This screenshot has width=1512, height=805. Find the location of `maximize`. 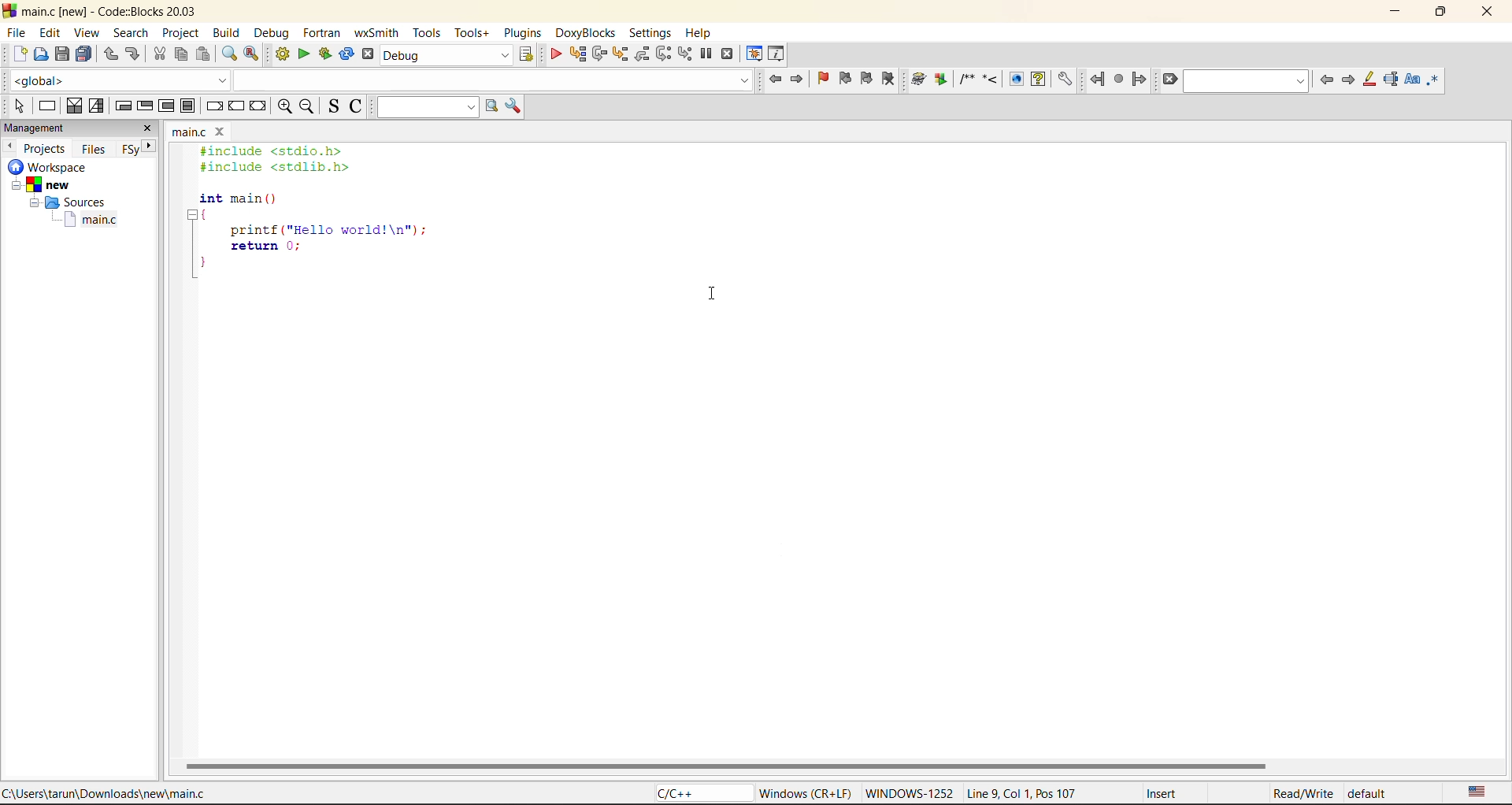

maximize is located at coordinates (1444, 14).